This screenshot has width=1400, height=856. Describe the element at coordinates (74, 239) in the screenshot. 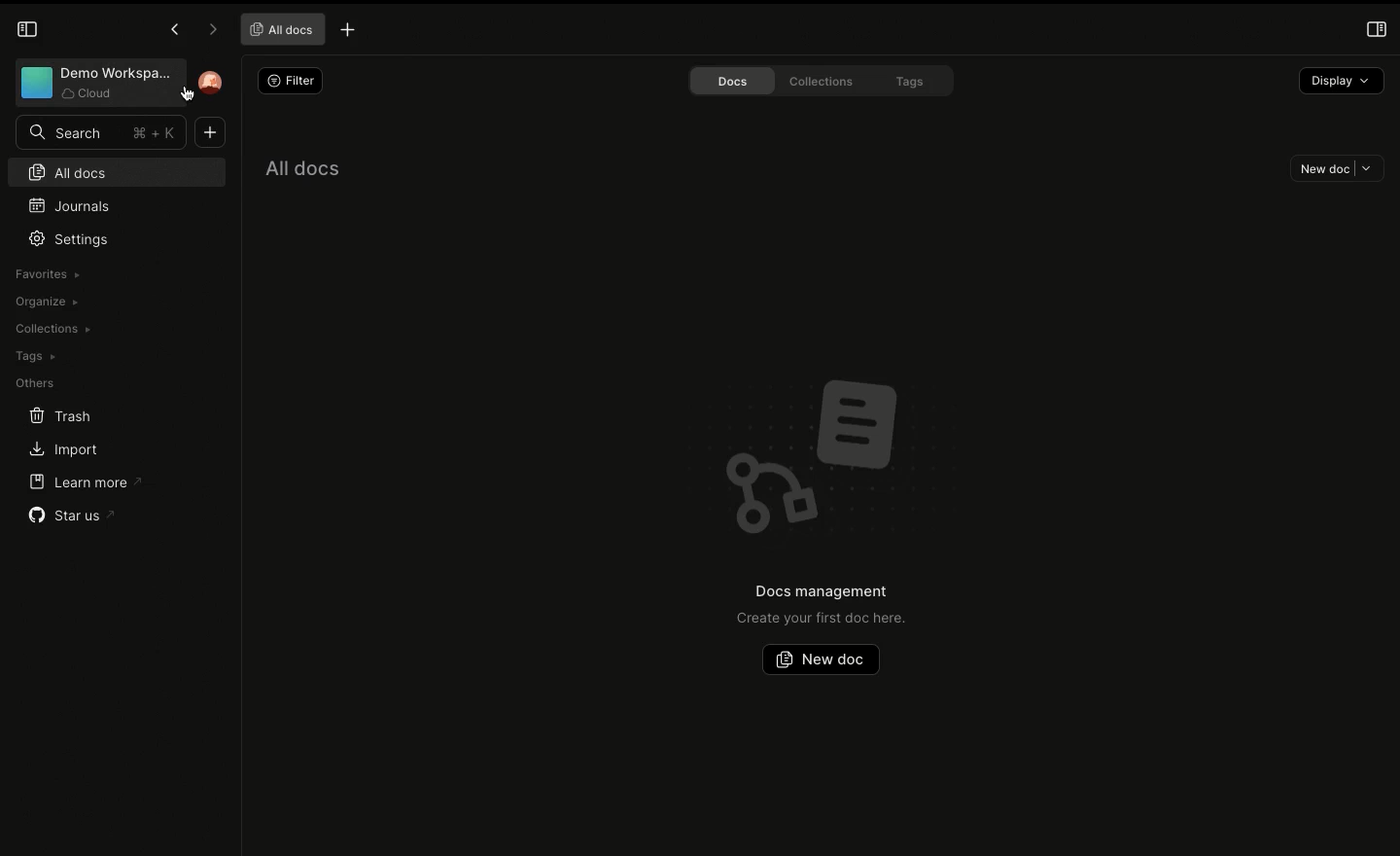

I see `Settings` at that location.